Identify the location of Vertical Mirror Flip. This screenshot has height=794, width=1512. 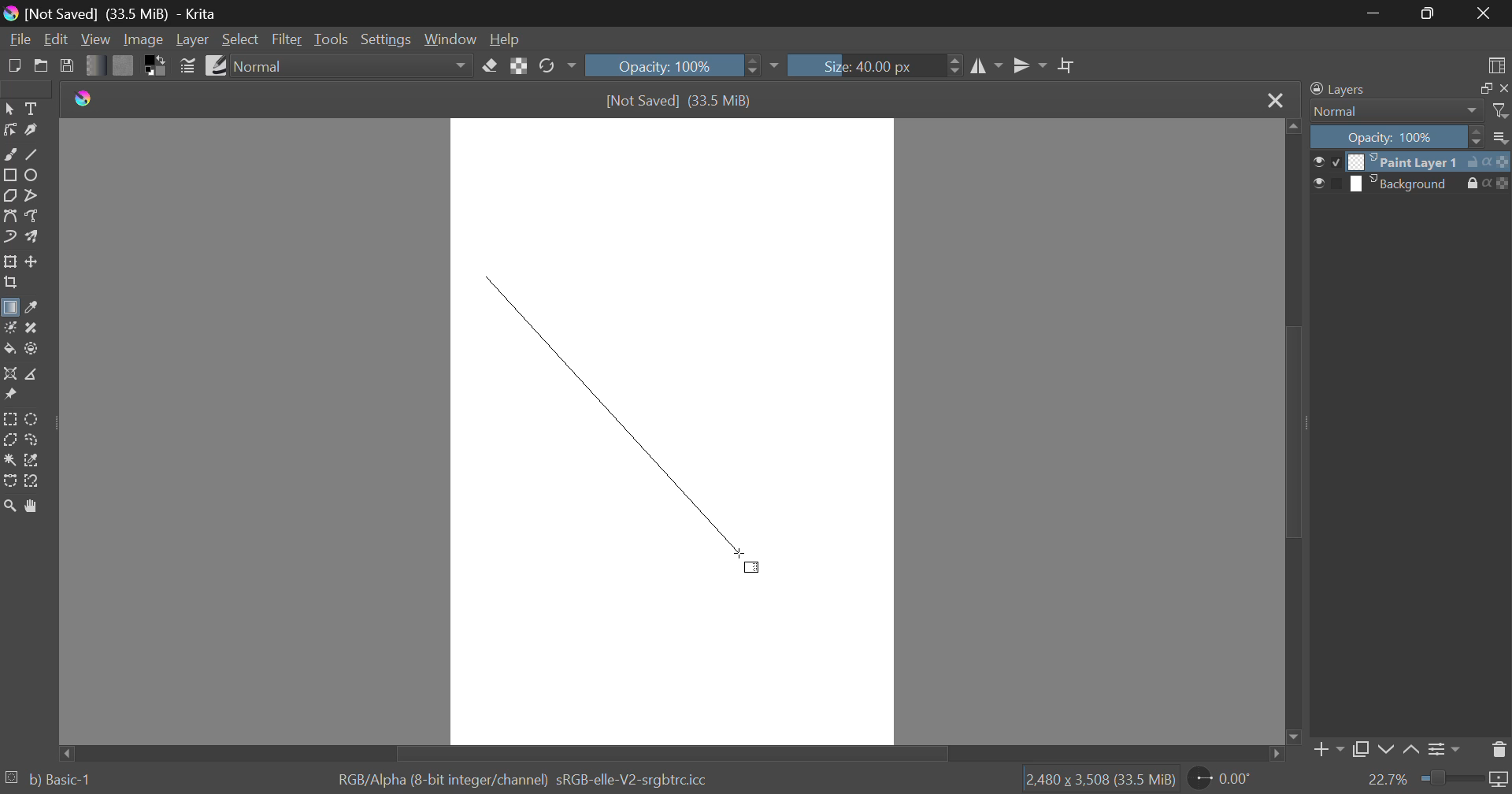
(987, 68).